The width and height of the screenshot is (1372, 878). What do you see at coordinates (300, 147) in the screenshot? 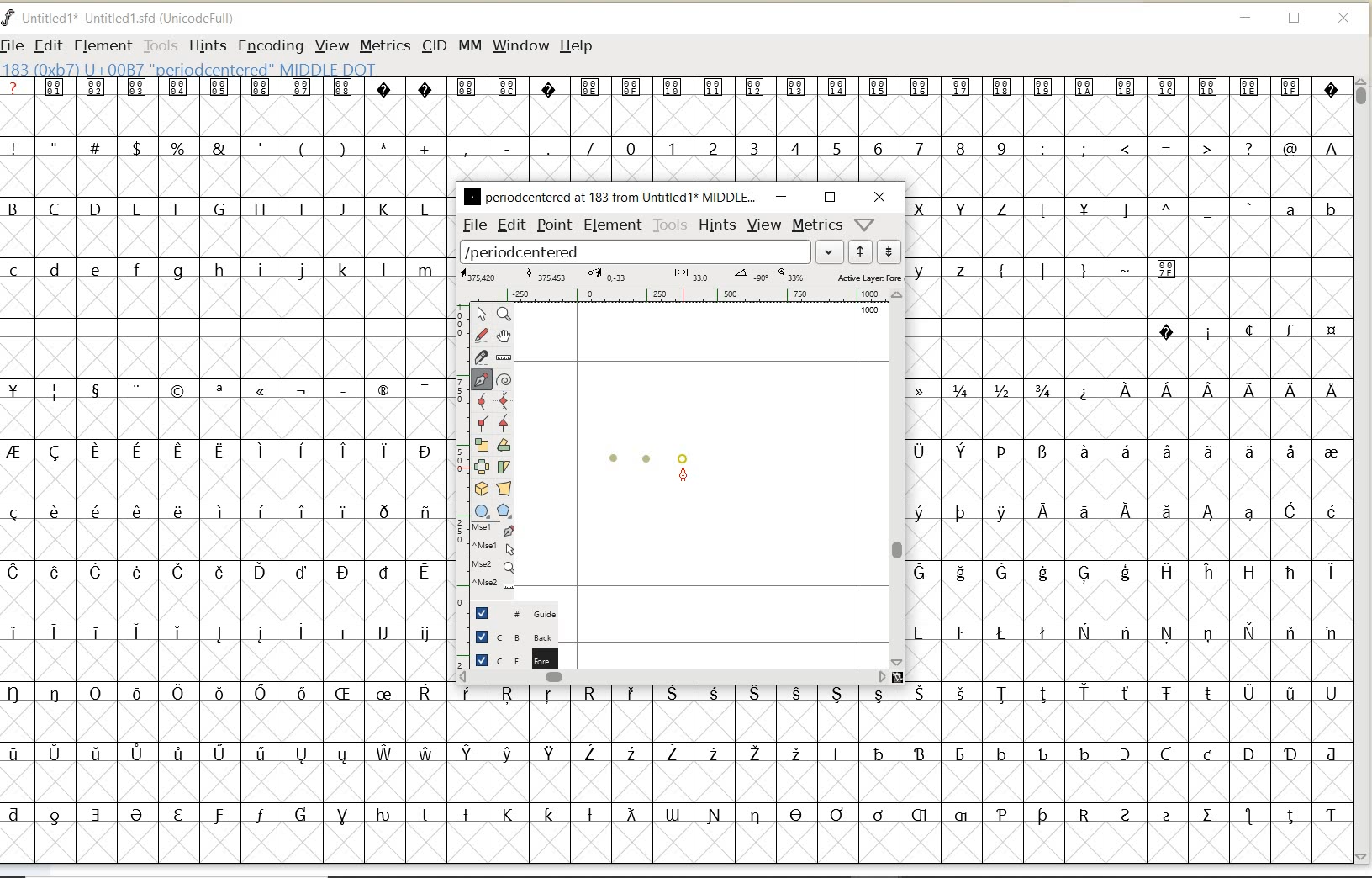
I see `special characters` at bounding box center [300, 147].